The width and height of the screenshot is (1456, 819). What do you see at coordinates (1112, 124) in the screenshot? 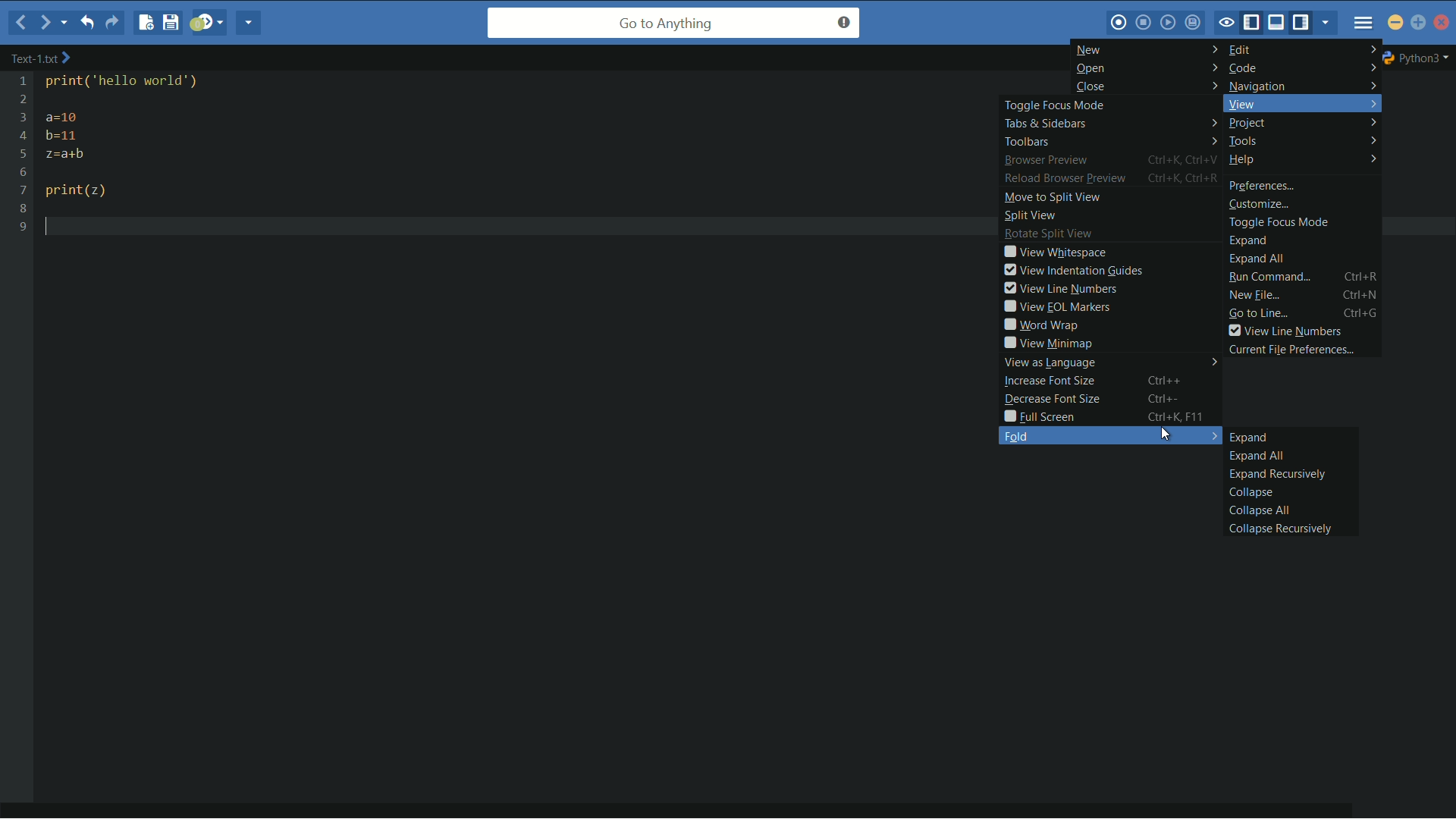
I see `tabs and sidebars` at bounding box center [1112, 124].